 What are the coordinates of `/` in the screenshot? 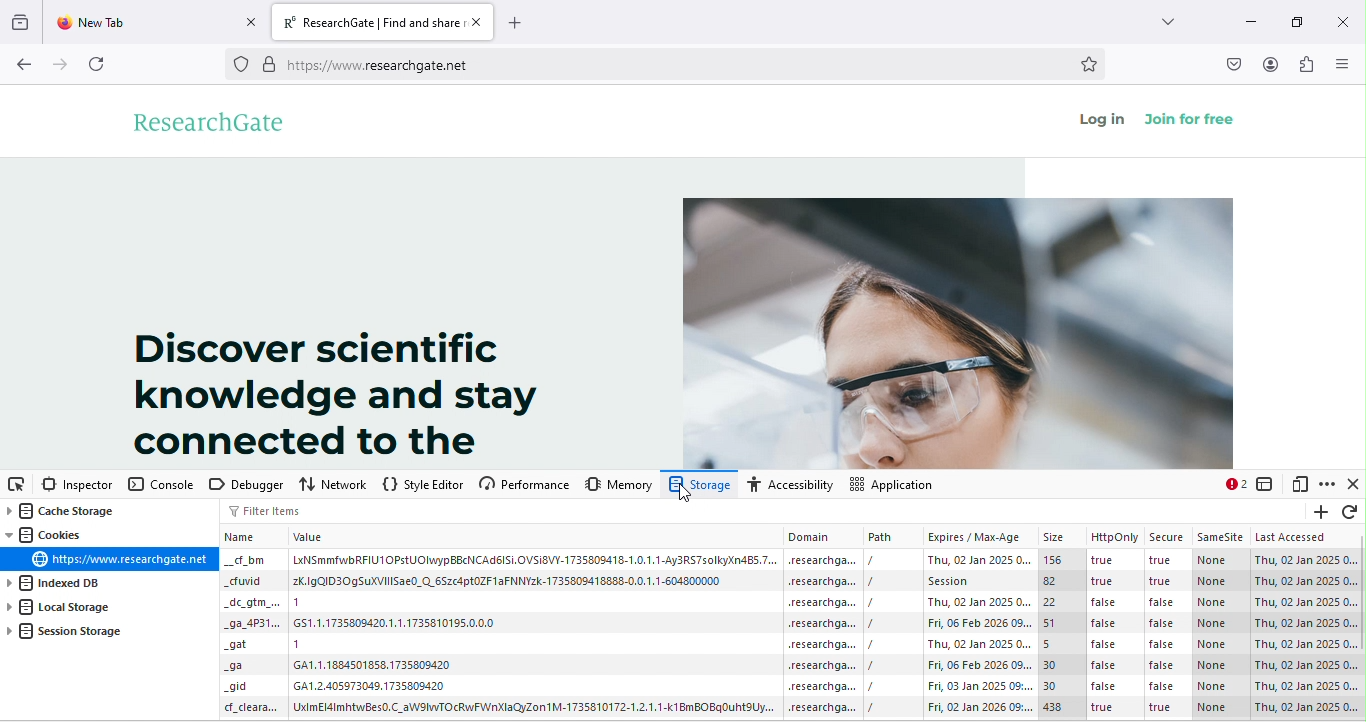 It's located at (870, 582).